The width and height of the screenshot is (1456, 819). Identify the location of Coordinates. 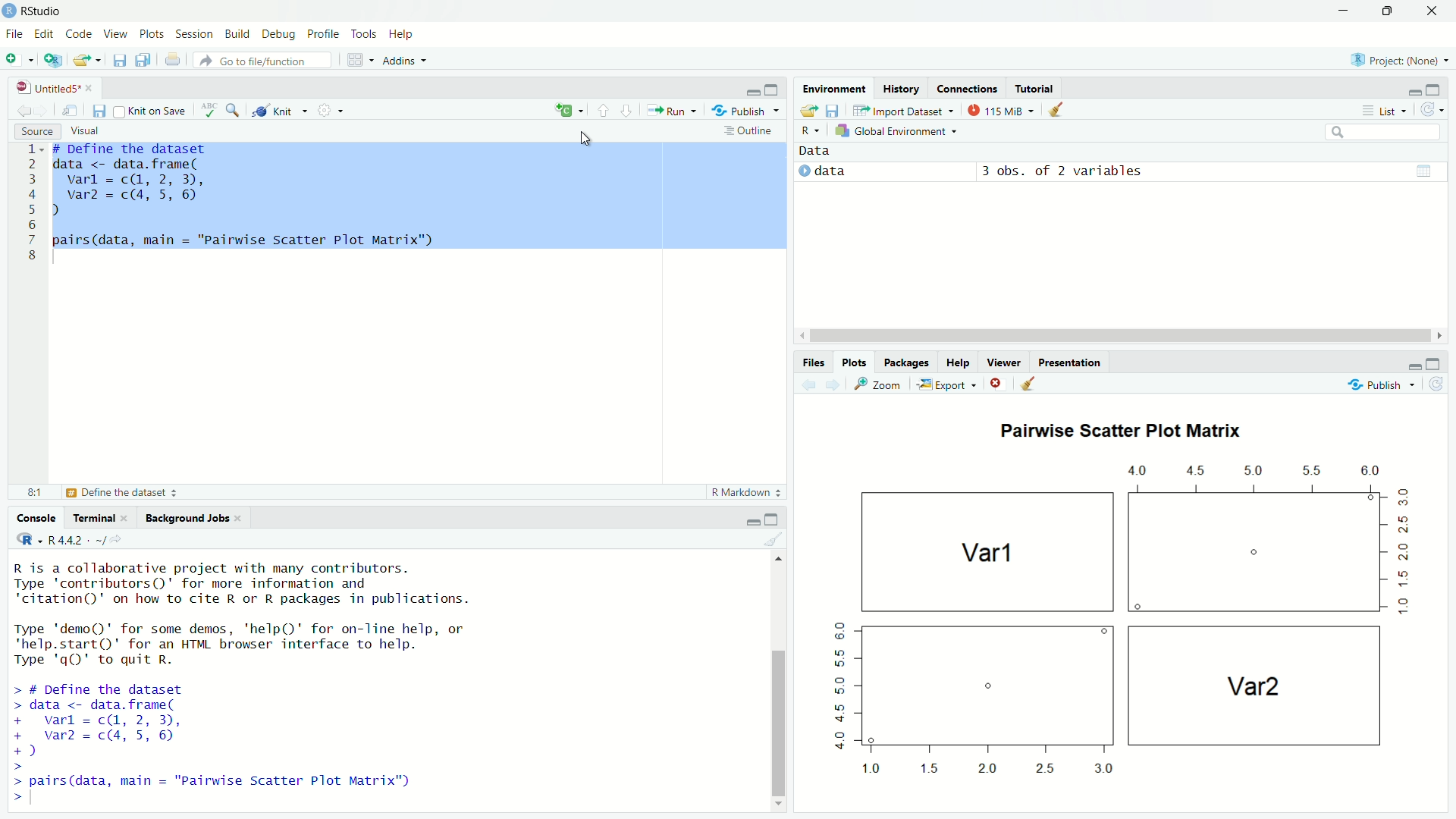
(968, 88).